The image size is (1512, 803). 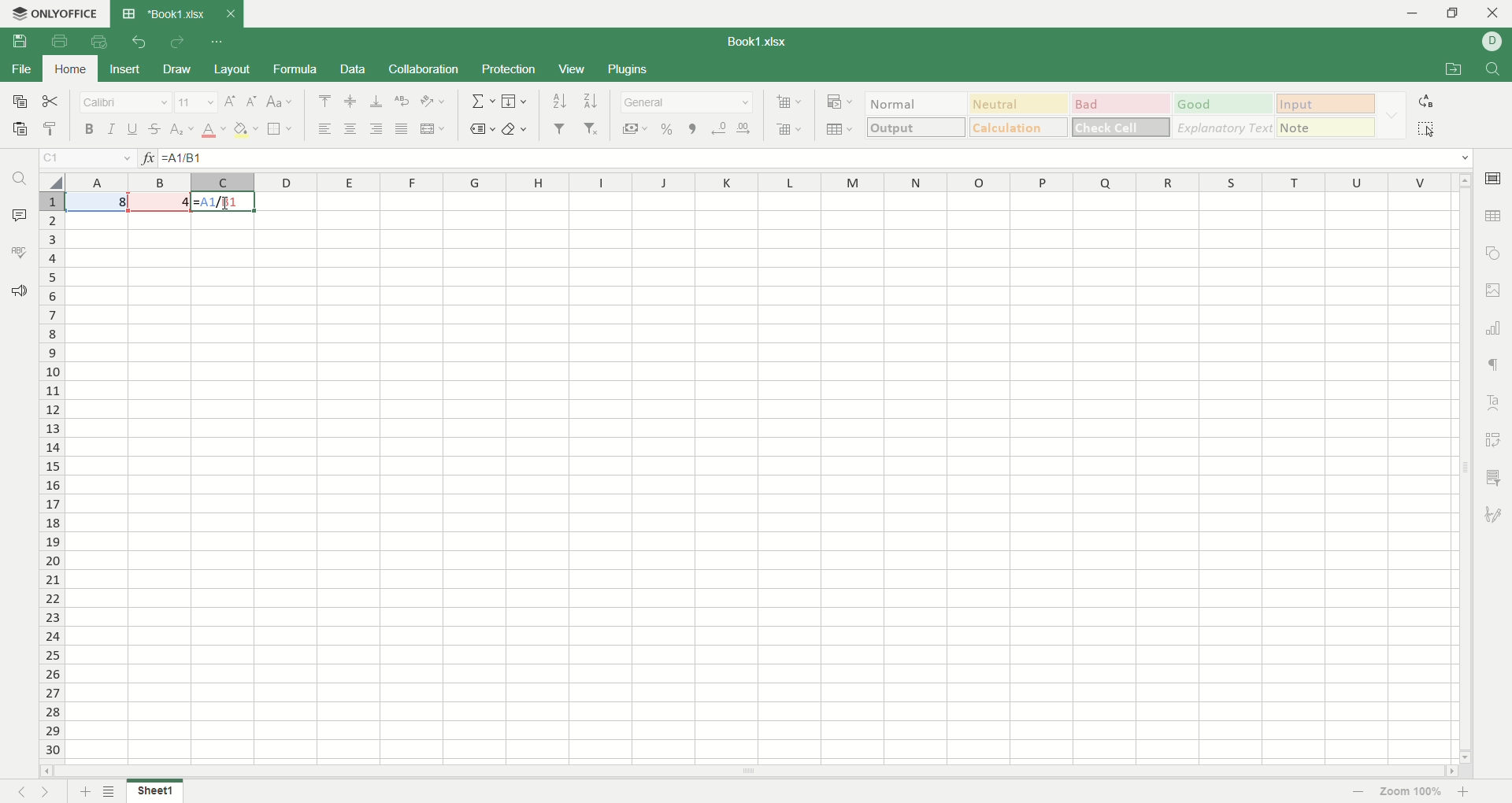 What do you see at coordinates (148, 158) in the screenshot?
I see `insert function` at bounding box center [148, 158].